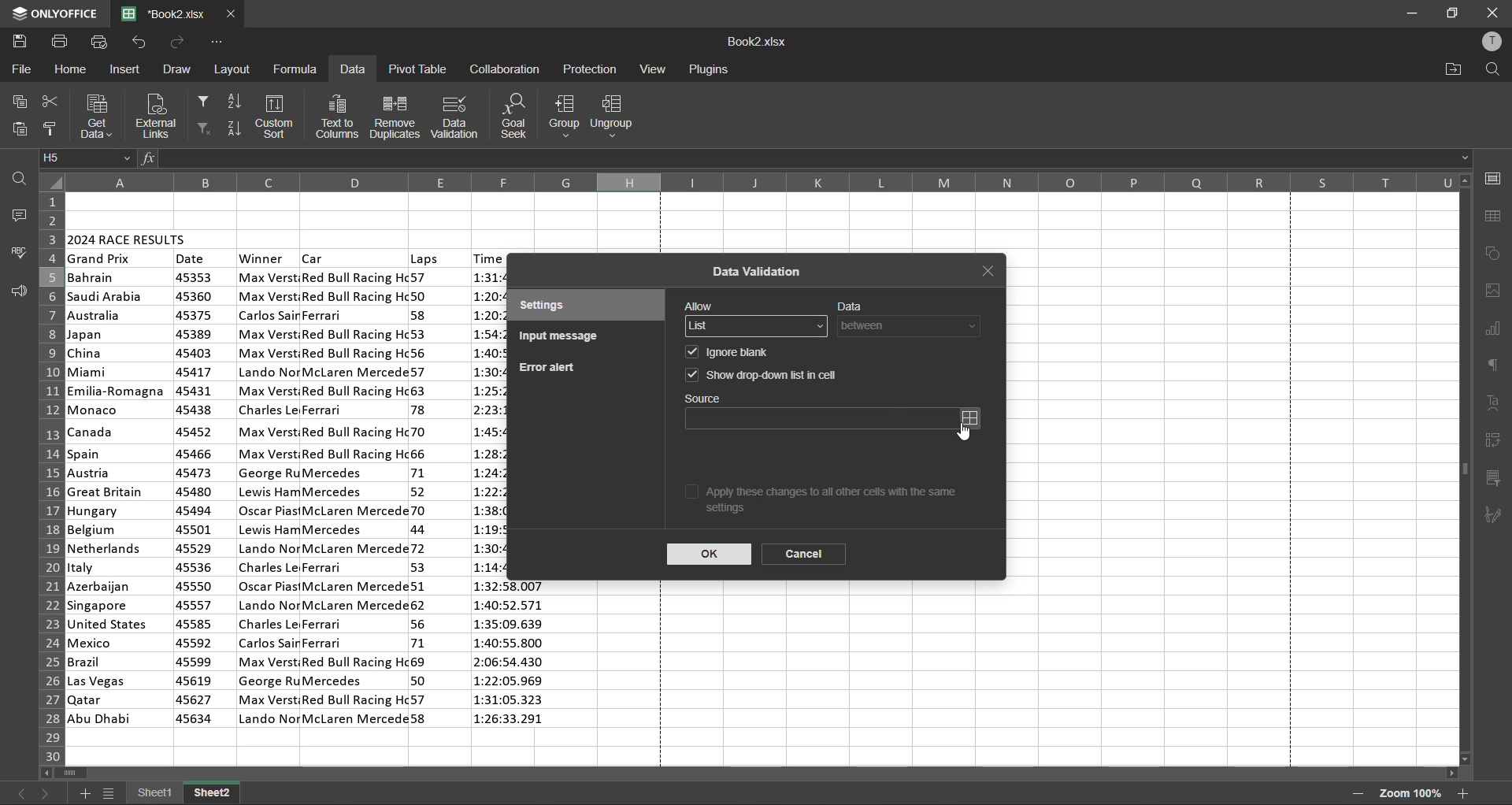 The image size is (1512, 805). I want to click on plugins, so click(708, 70).